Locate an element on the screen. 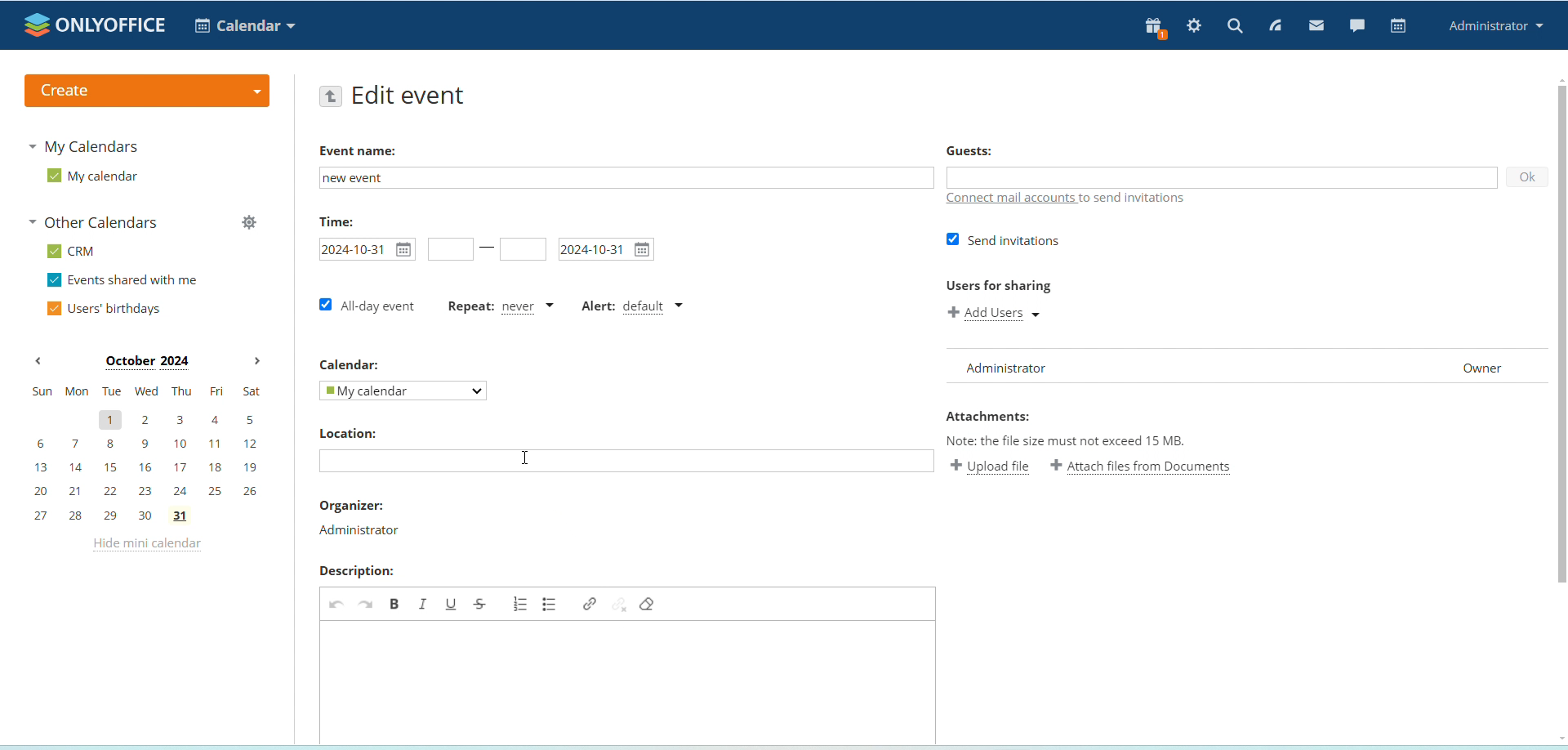 Image resolution: width=1568 pixels, height=750 pixels. Calendar is located at coordinates (348, 363).